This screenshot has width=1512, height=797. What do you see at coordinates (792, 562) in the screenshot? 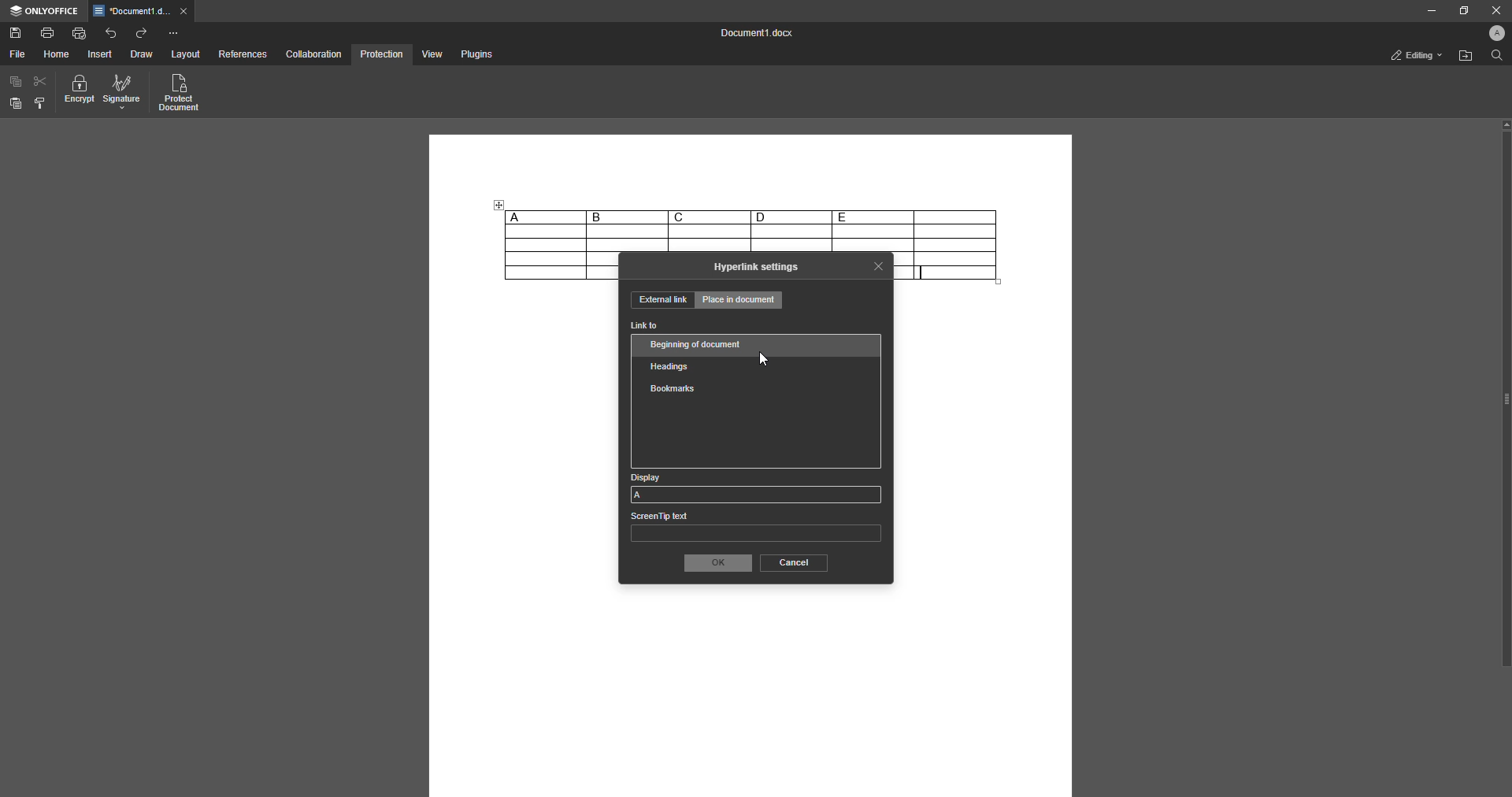
I see `Cancel` at bounding box center [792, 562].